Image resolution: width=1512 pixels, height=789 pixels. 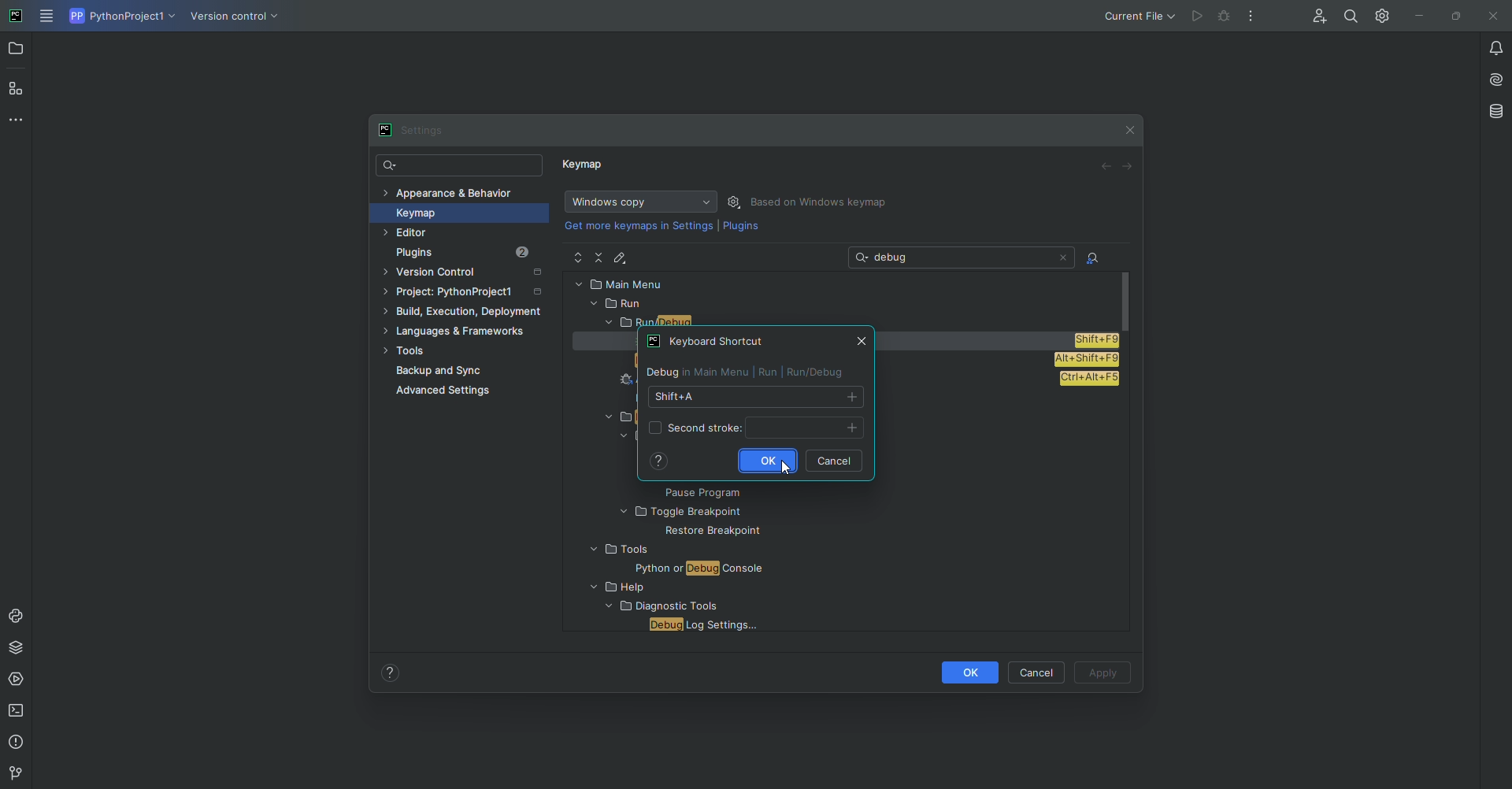 I want to click on Search, so click(x=461, y=166).